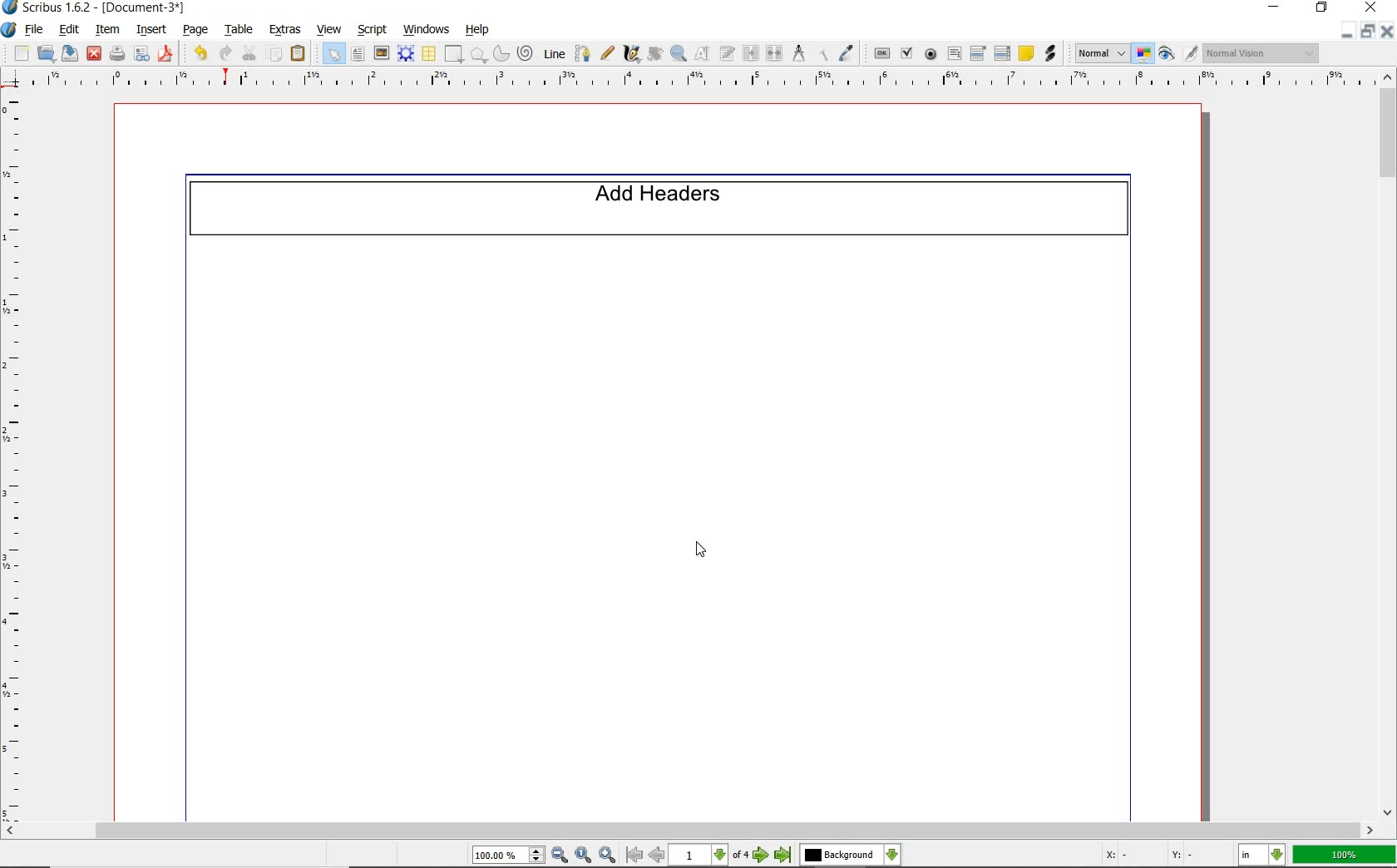 The width and height of the screenshot is (1397, 868). Describe the element at coordinates (510, 856) in the screenshot. I see `select current zoom level` at that location.